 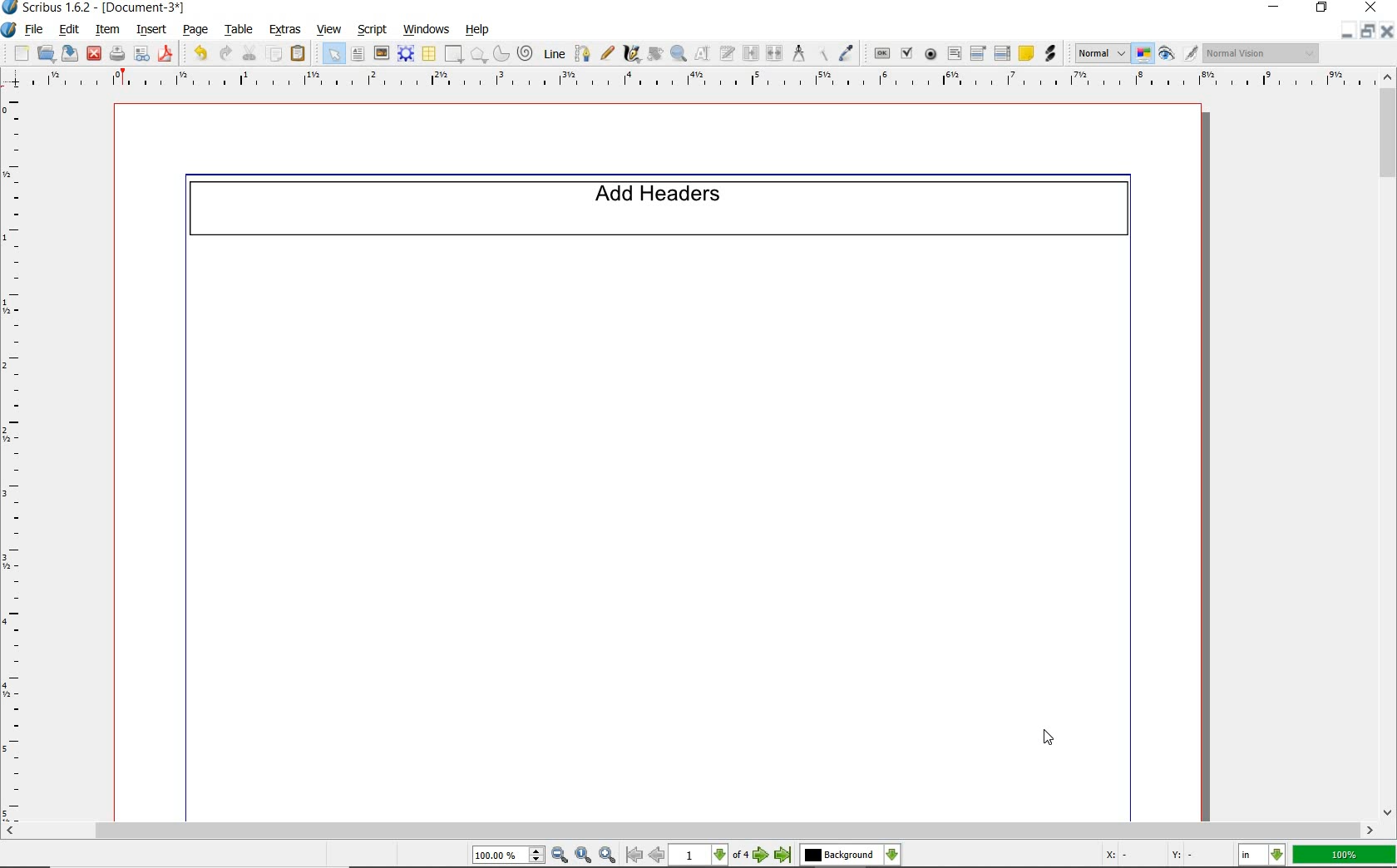 What do you see at coordinates (1345, 855) in the screenshot?
I see `100%` at bounding box center [1345, 855].